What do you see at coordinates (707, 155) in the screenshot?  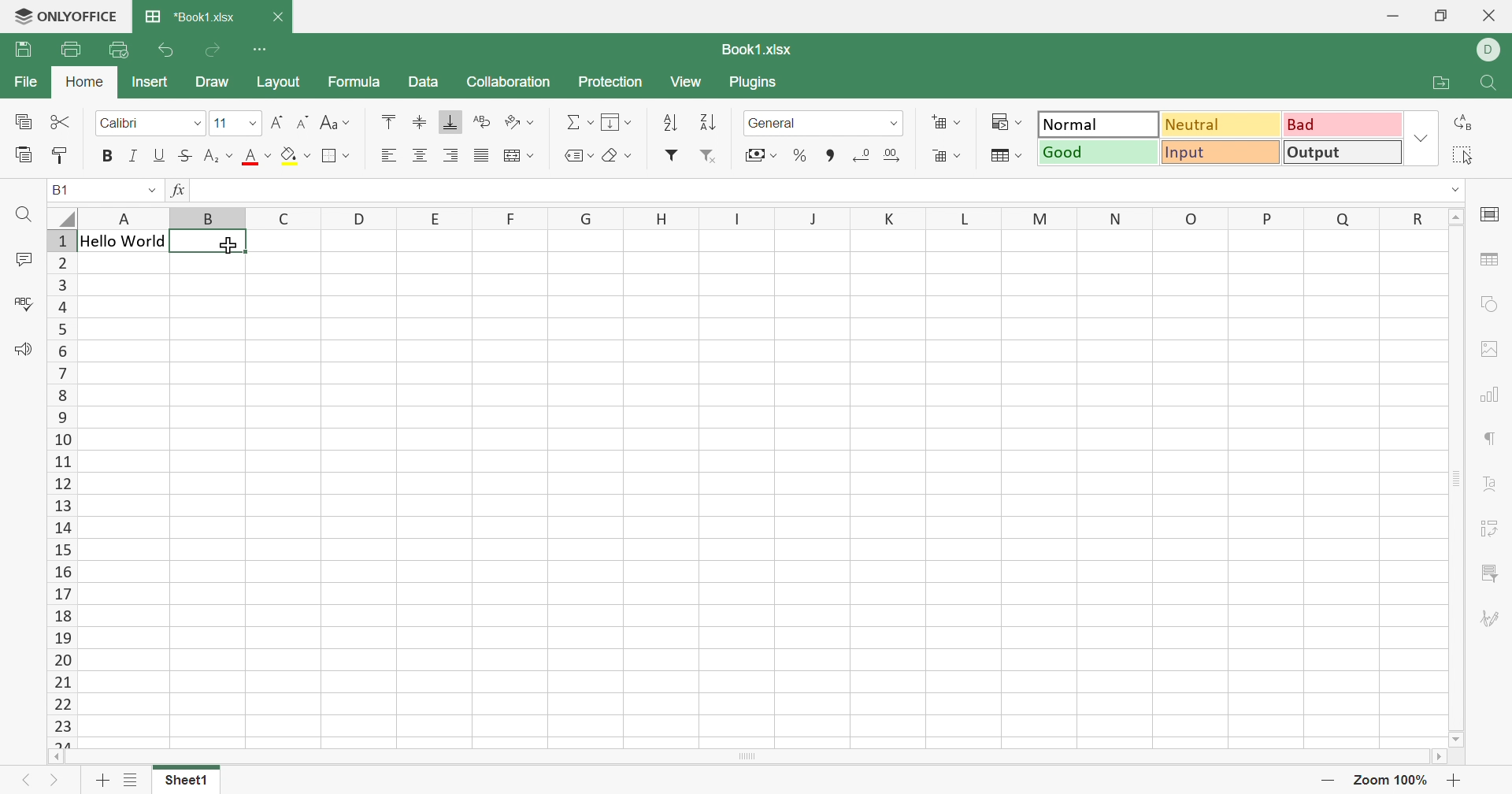 I see `Remove filter` at bounding box center [707, 155].